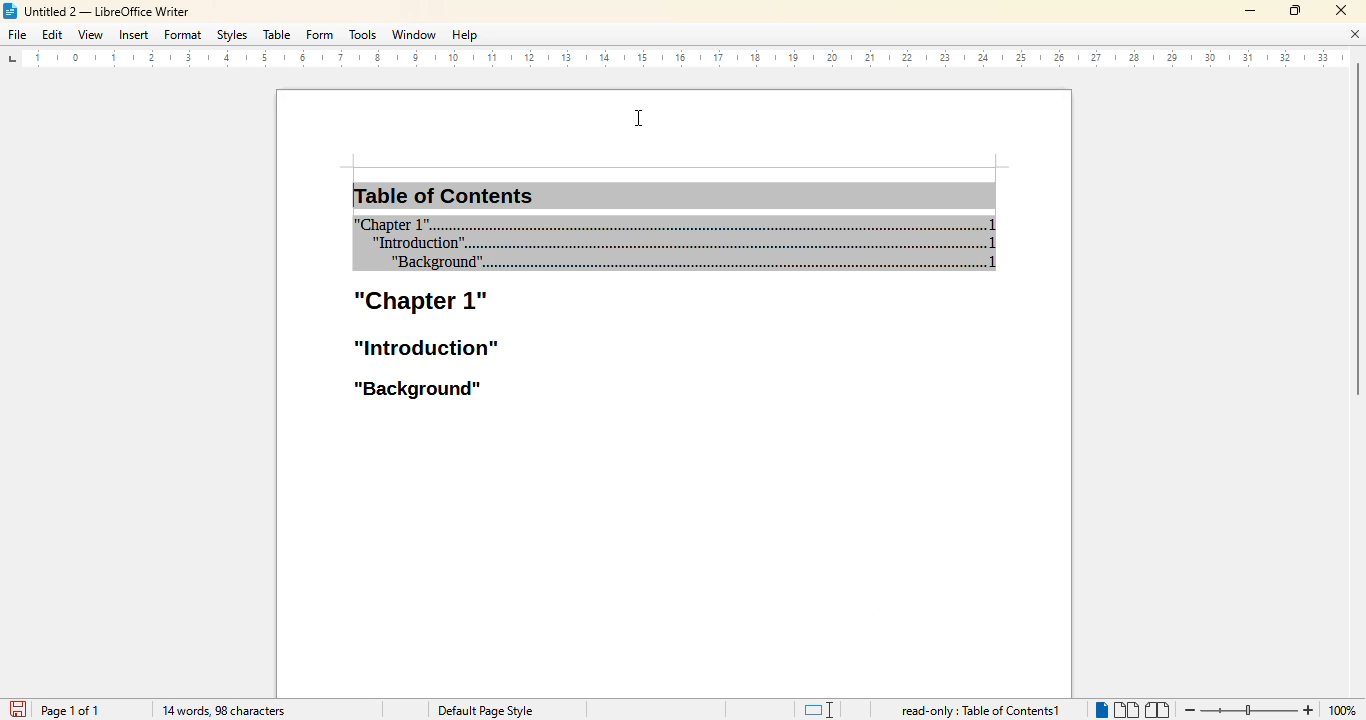  What do you see at coordinates (1157, 710) in the screenshot?
I see `book view` at bounding box center [1157, 710].